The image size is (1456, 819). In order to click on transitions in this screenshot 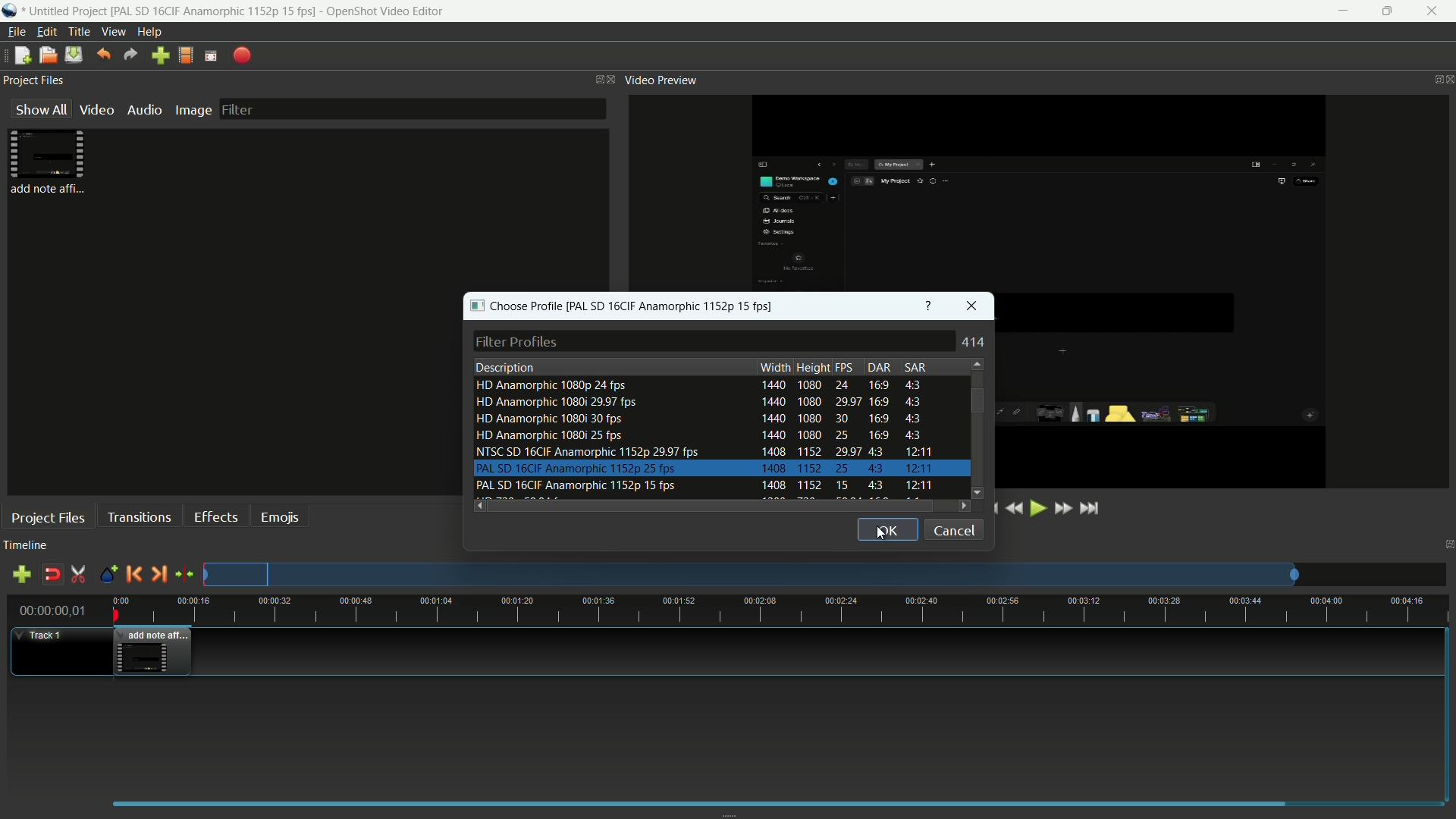, I will do `click(139, 516)`.